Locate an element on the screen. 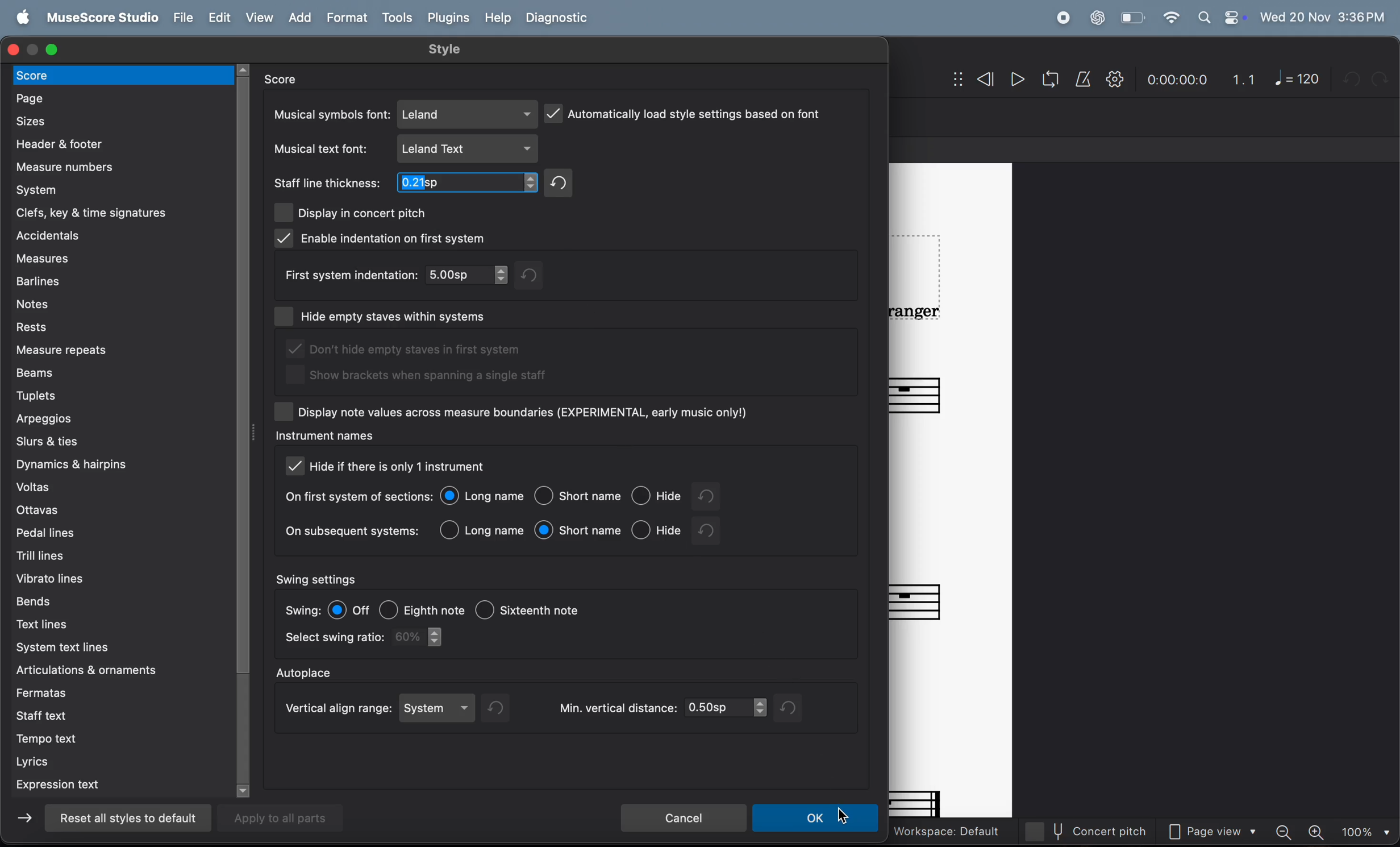 The image size is (1400, 847). tools is located at coordinates (397, 19).